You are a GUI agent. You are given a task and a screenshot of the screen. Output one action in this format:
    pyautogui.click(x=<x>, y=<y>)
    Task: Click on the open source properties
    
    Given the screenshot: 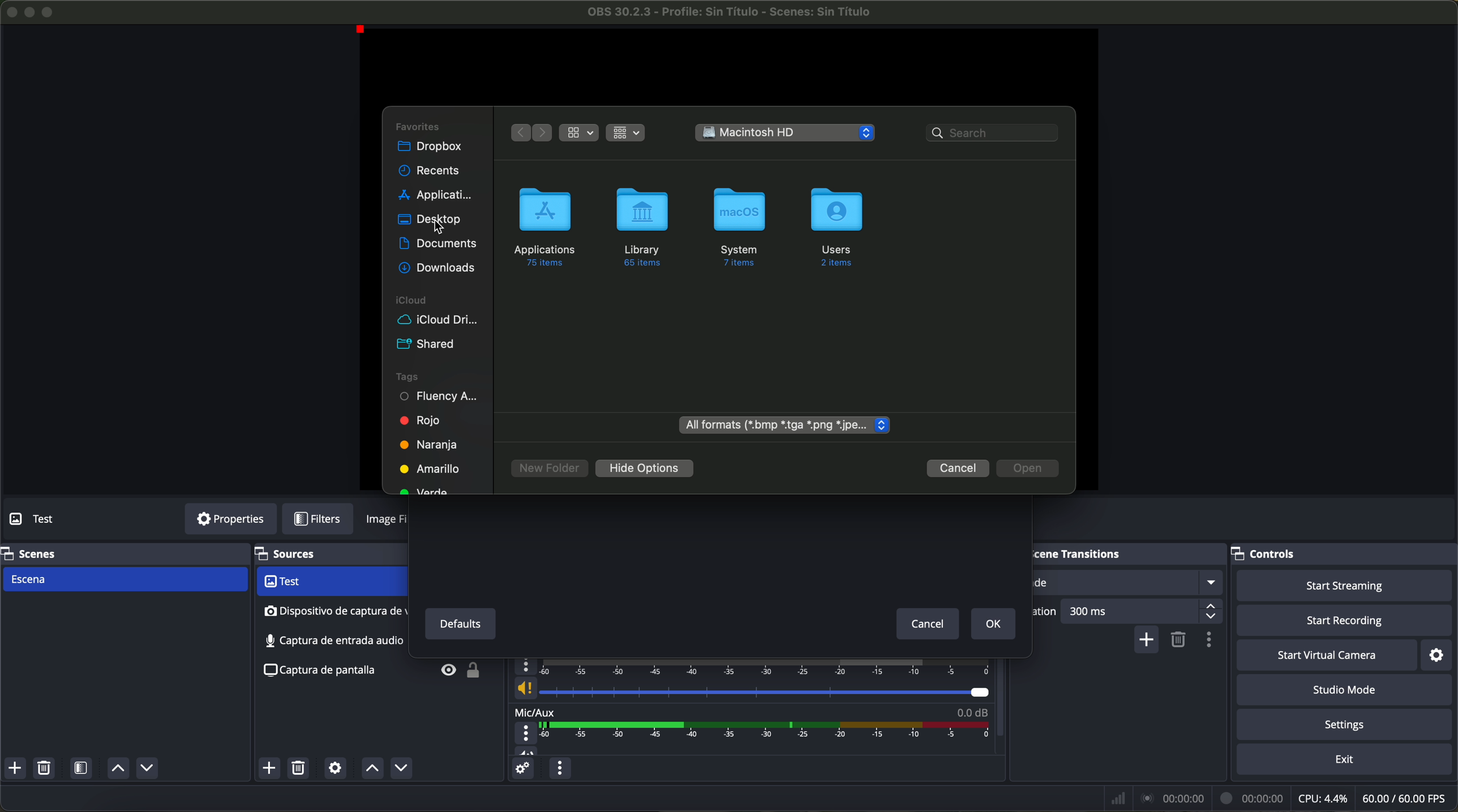 What is the action you would take?
    pyautogui.click(x=335, y=768)
    